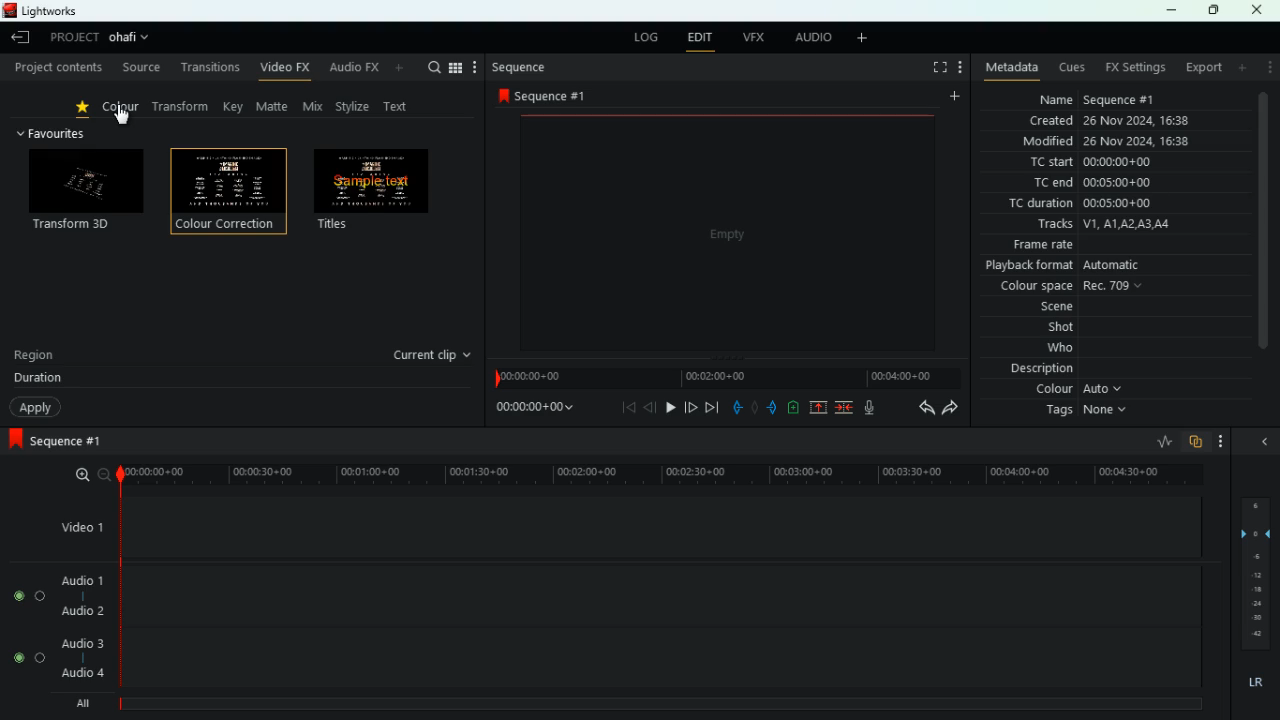  Describe the element at coordinates (750, 406) in the screenshot. I see `middle` at that location.